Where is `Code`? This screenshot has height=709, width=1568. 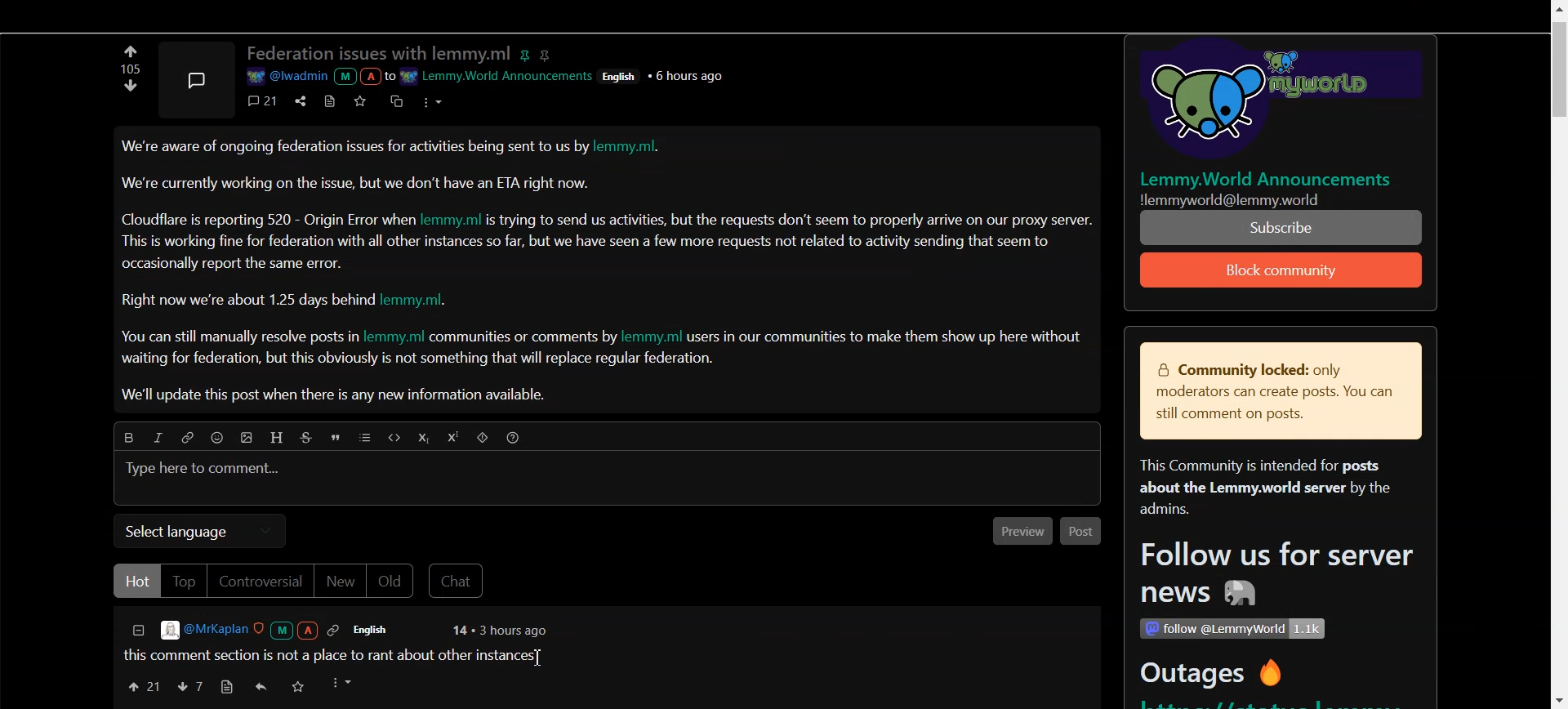 Code is located at coordinates (392, 437).